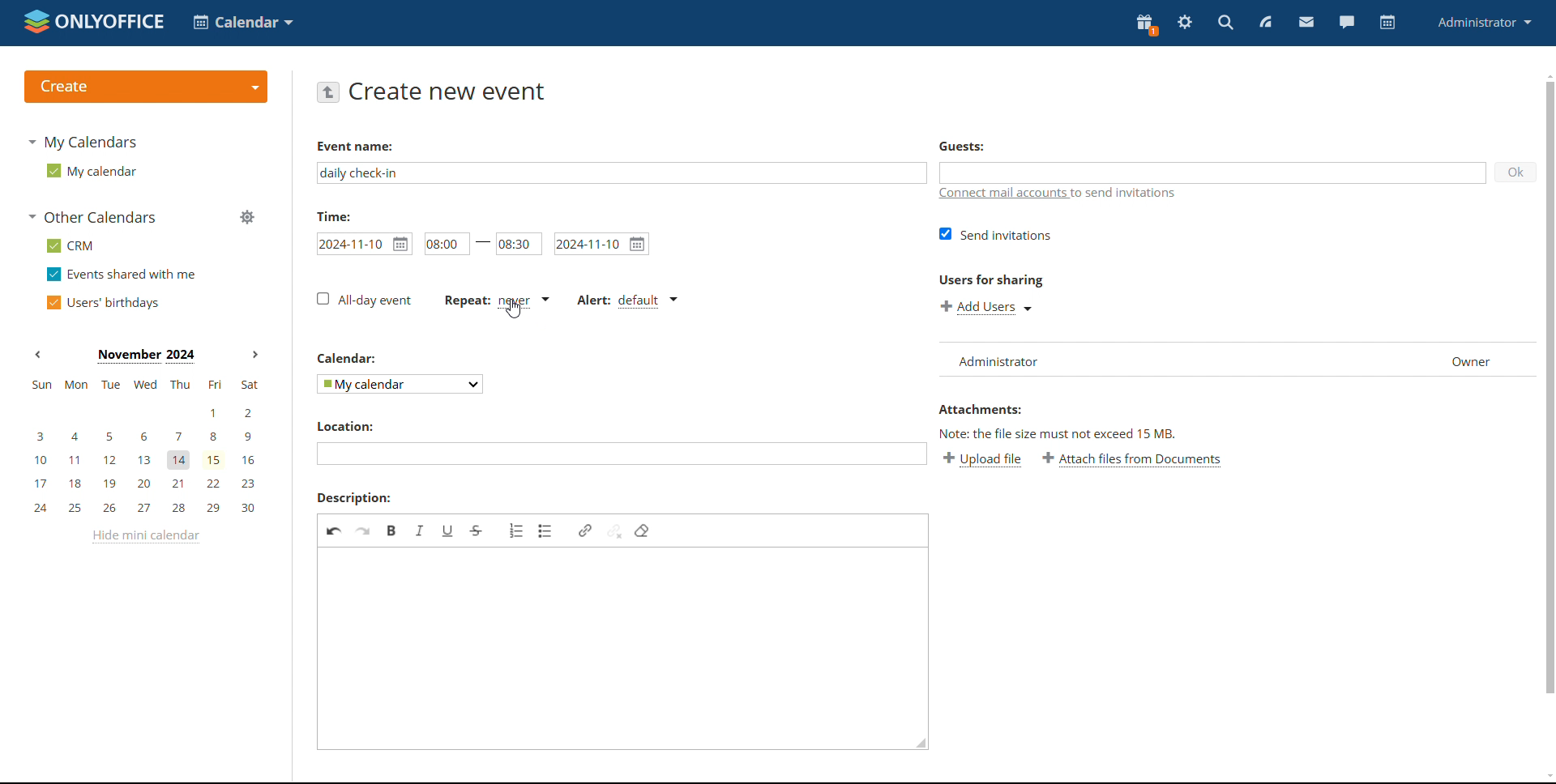 This screenshot has width=1556, height=784. I want to click on feed, so click(1266, 22).